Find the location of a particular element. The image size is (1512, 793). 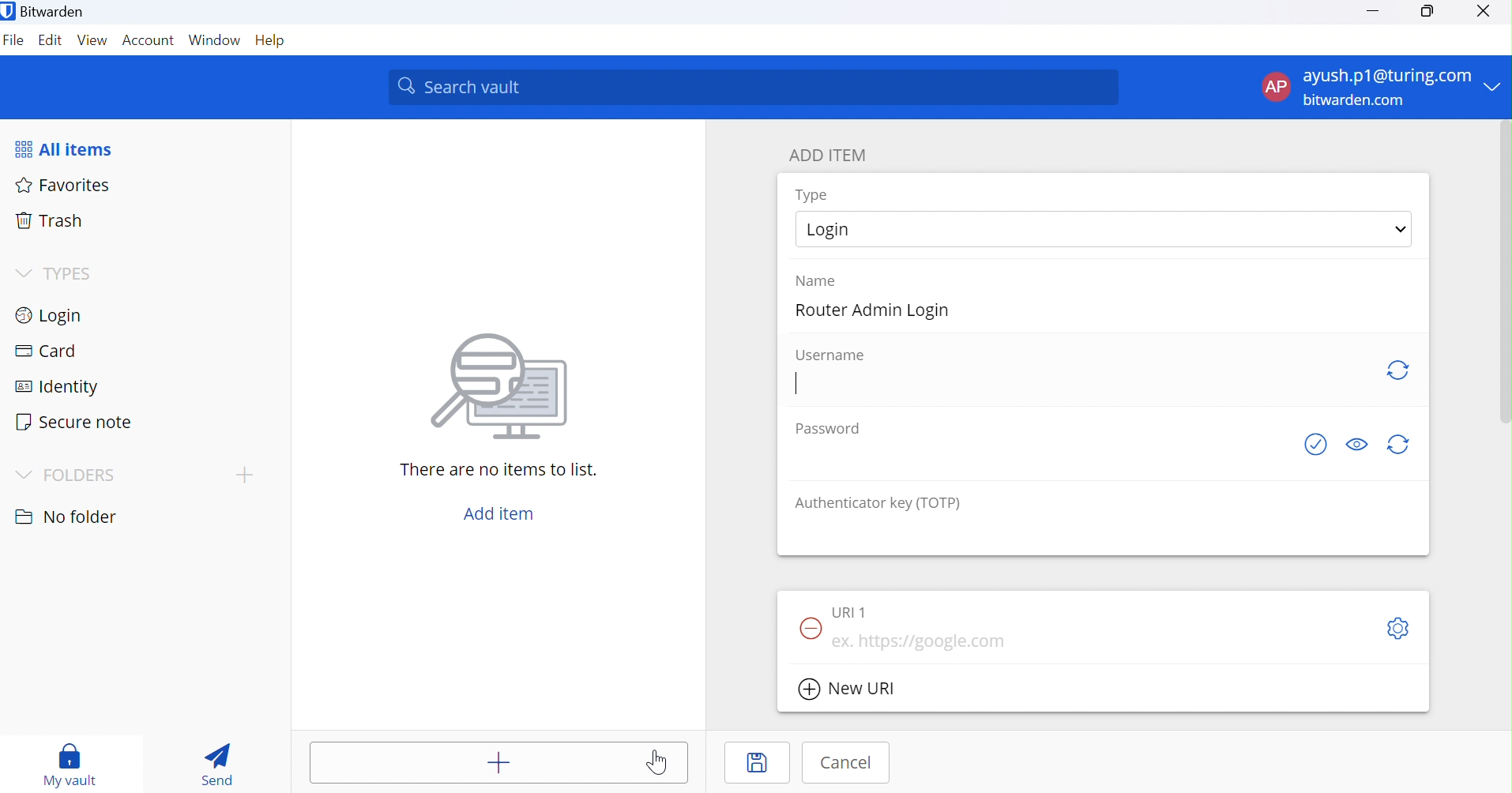

https://google ta is located at coordinates (923, 642).